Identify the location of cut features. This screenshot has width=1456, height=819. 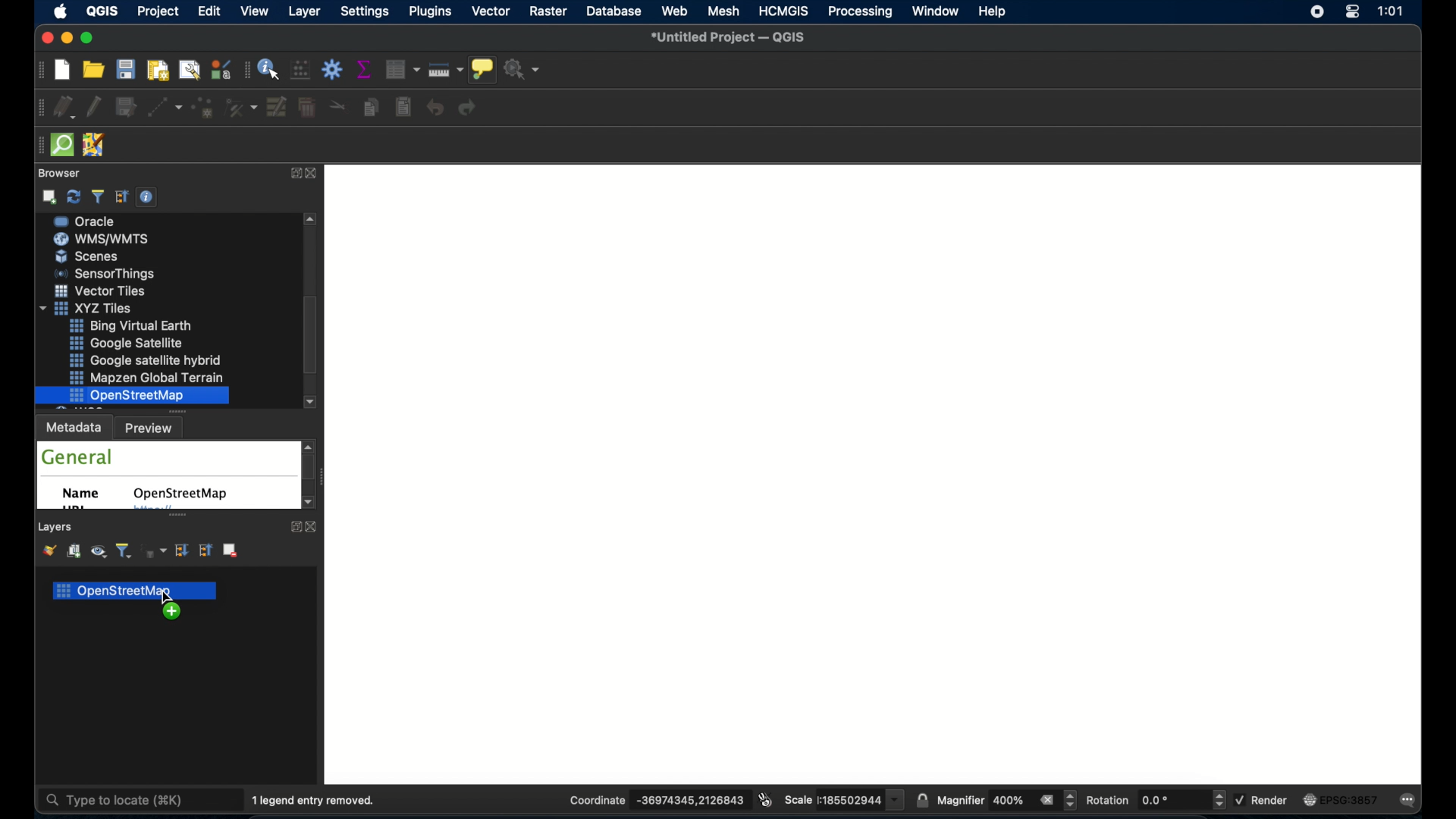
(337, 105).